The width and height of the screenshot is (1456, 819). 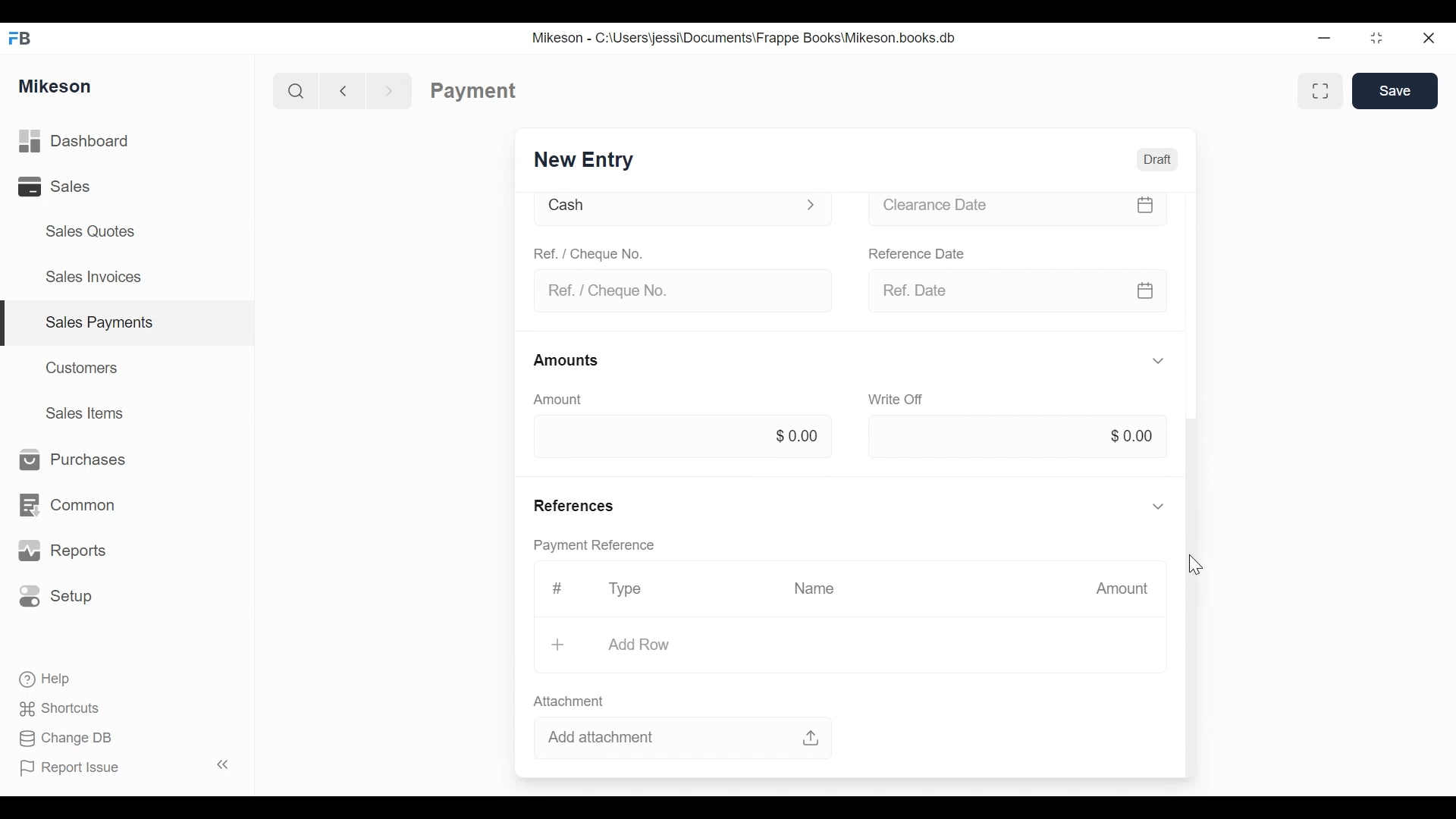 I want to click on previous, so click(x=341, y=91).